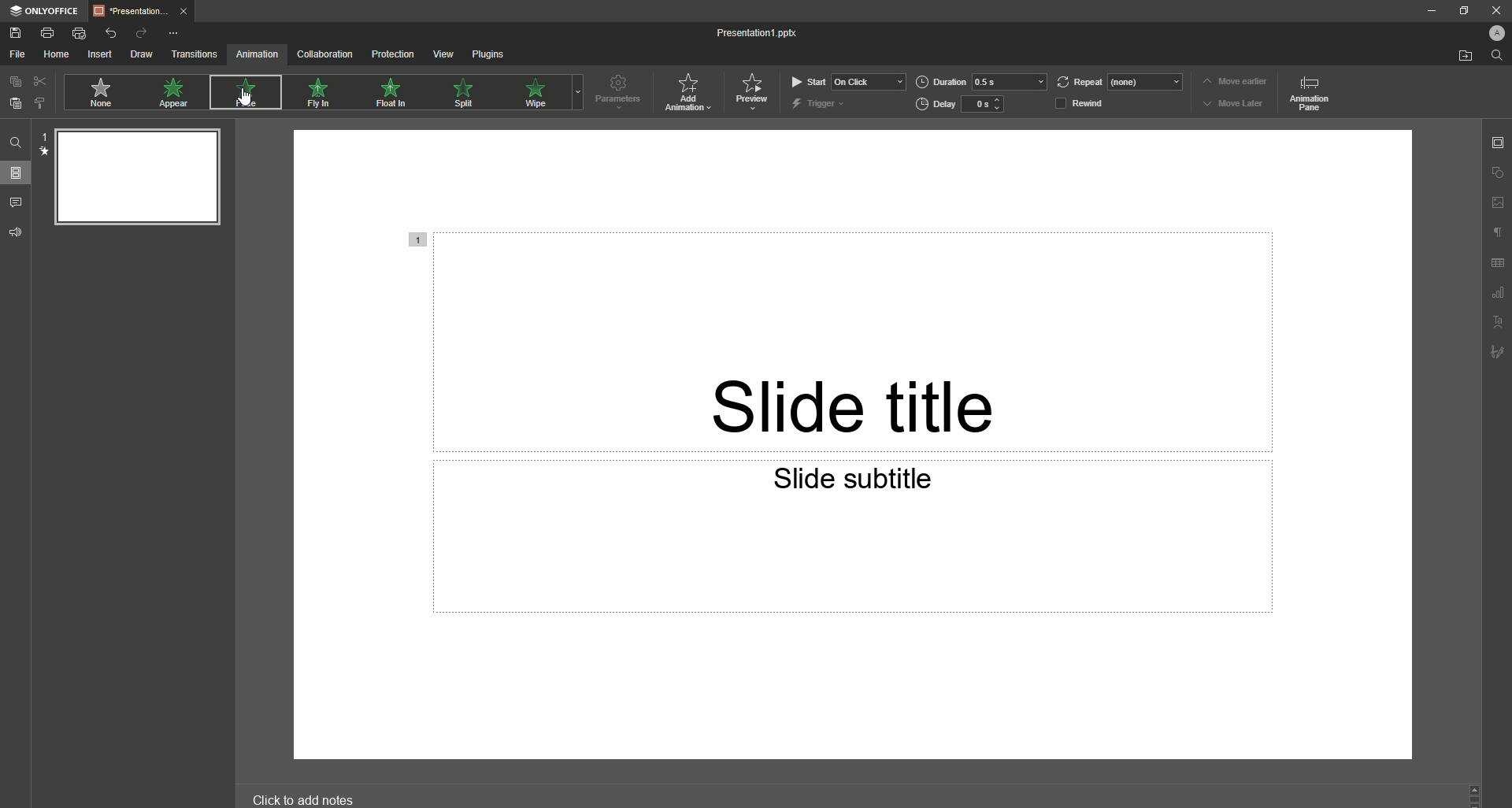  I want to click on Rewind, so click(1092, 102).